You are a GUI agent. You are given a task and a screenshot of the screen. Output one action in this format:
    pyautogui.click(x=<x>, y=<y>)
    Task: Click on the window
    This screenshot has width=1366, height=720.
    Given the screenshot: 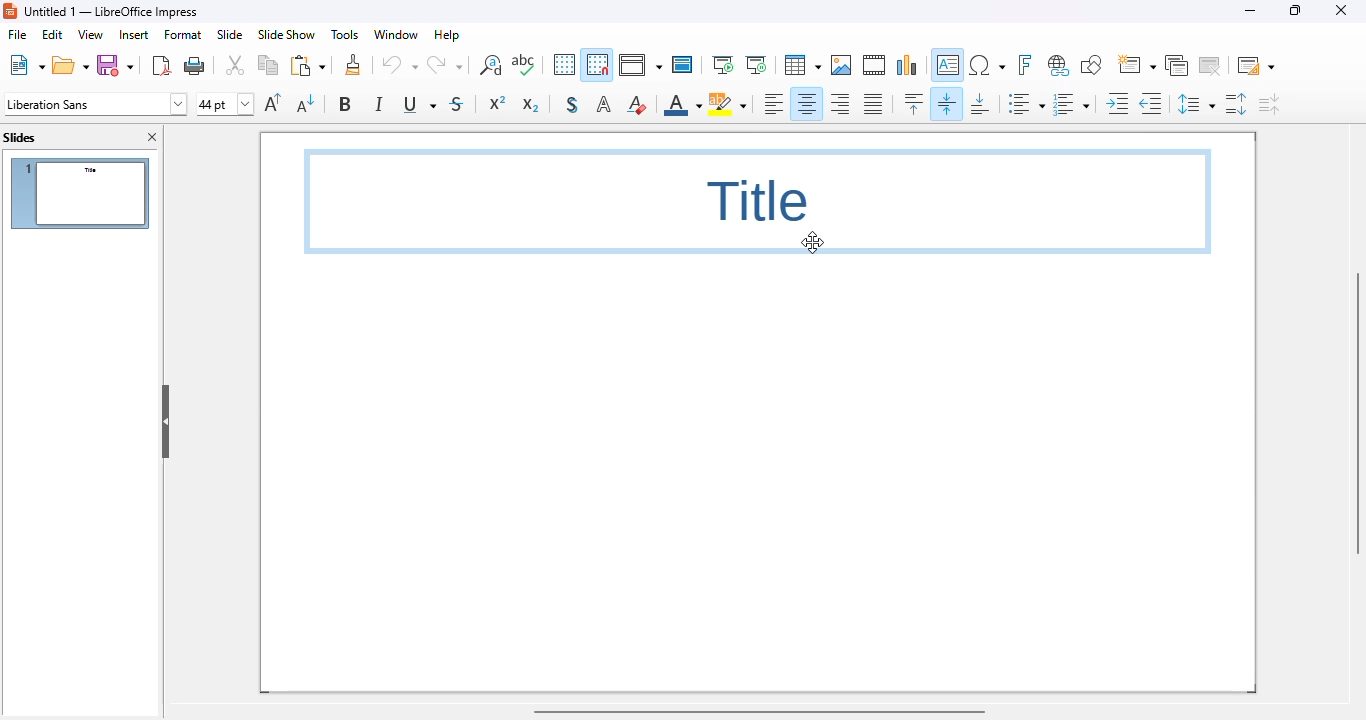 What is the action you would take?
    pyautogui.click(x=397, y=35)
    